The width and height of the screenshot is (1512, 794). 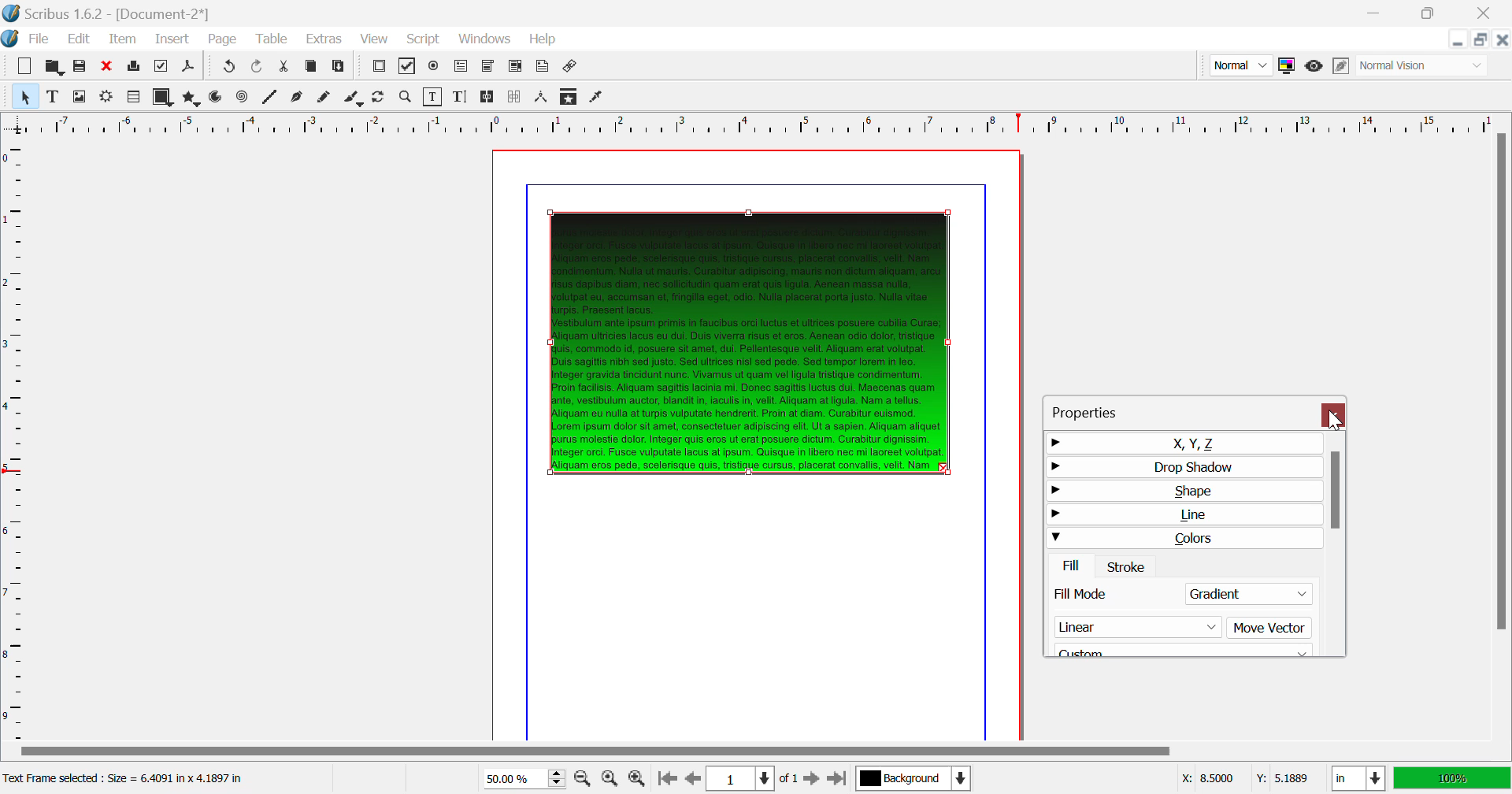 I want to click on Cursor Coordinates, so click(x=1244, y=779).